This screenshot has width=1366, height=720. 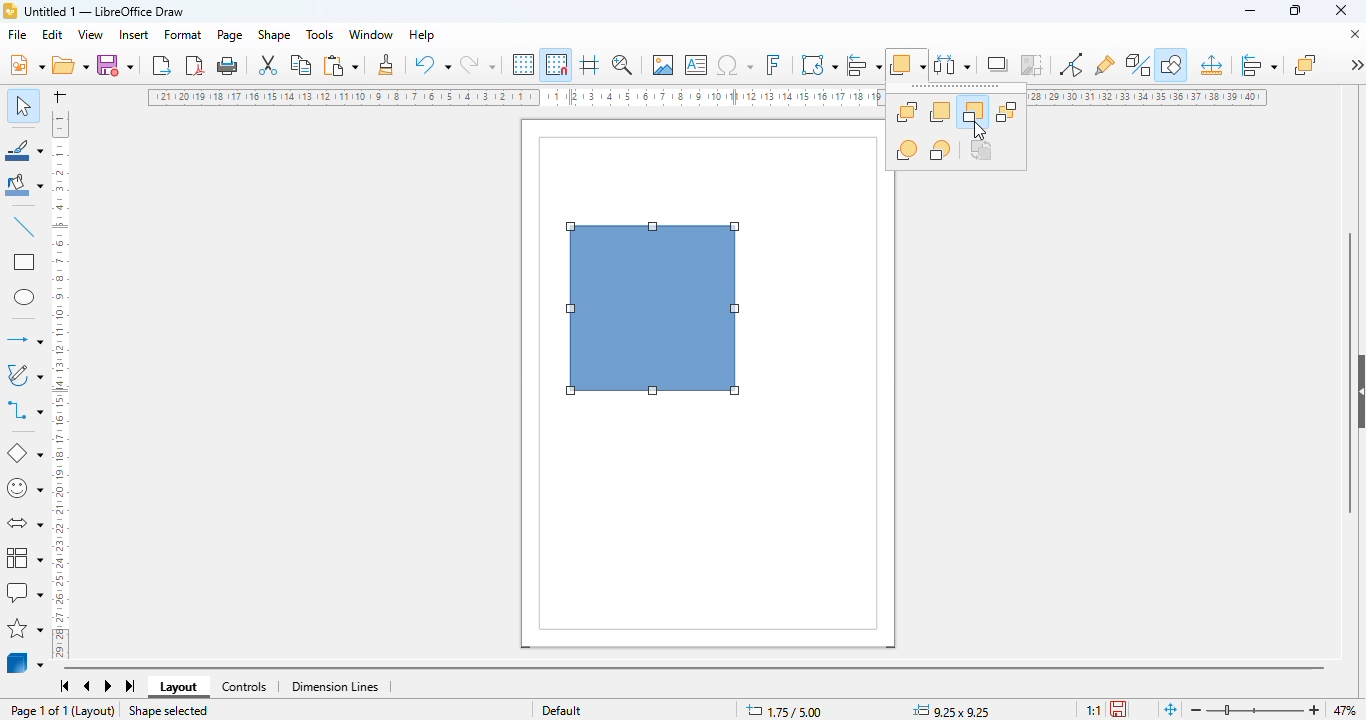 I want to click on export, so click(x=162, y=64).